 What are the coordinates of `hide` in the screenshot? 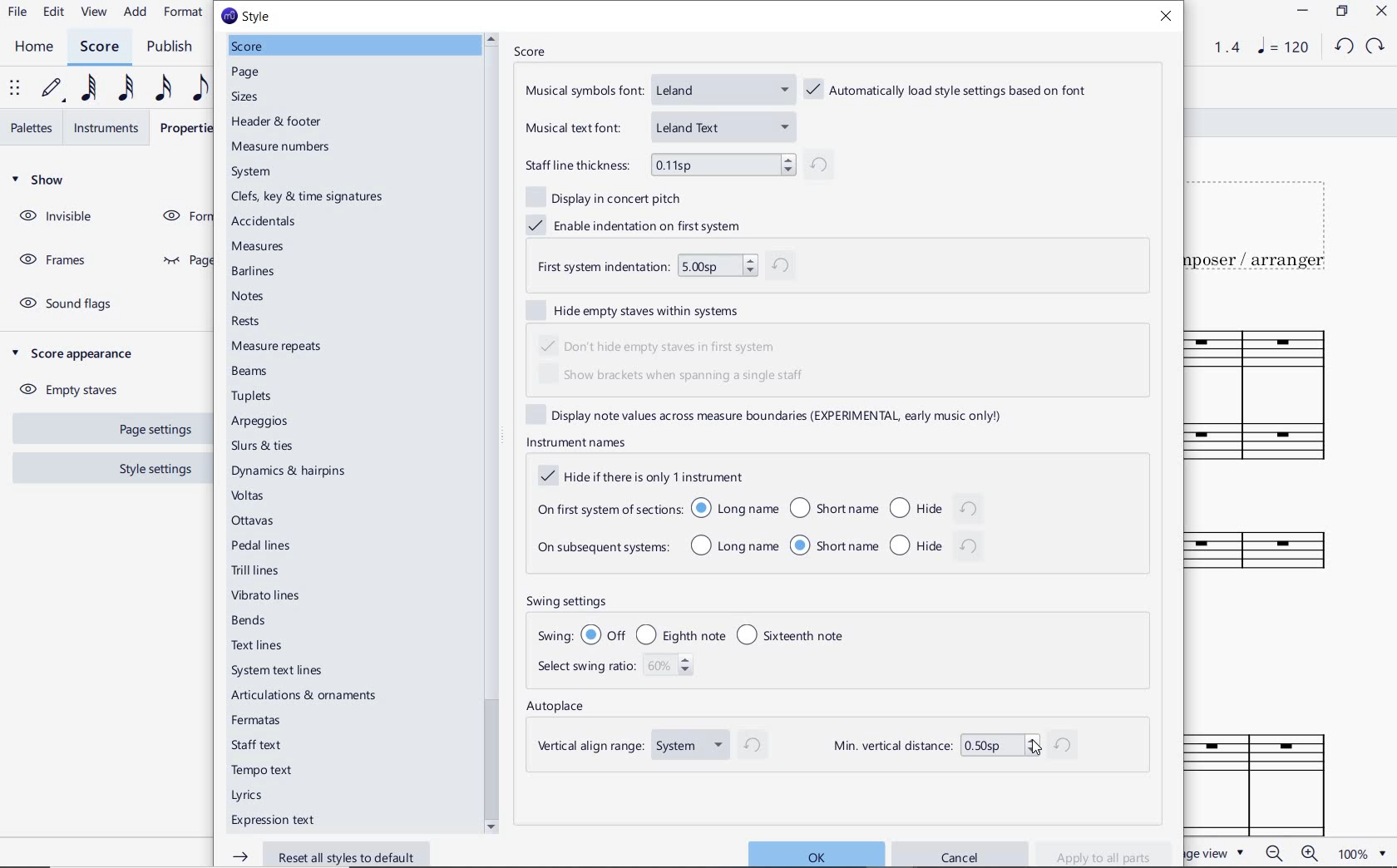 It's located at (934, 506).